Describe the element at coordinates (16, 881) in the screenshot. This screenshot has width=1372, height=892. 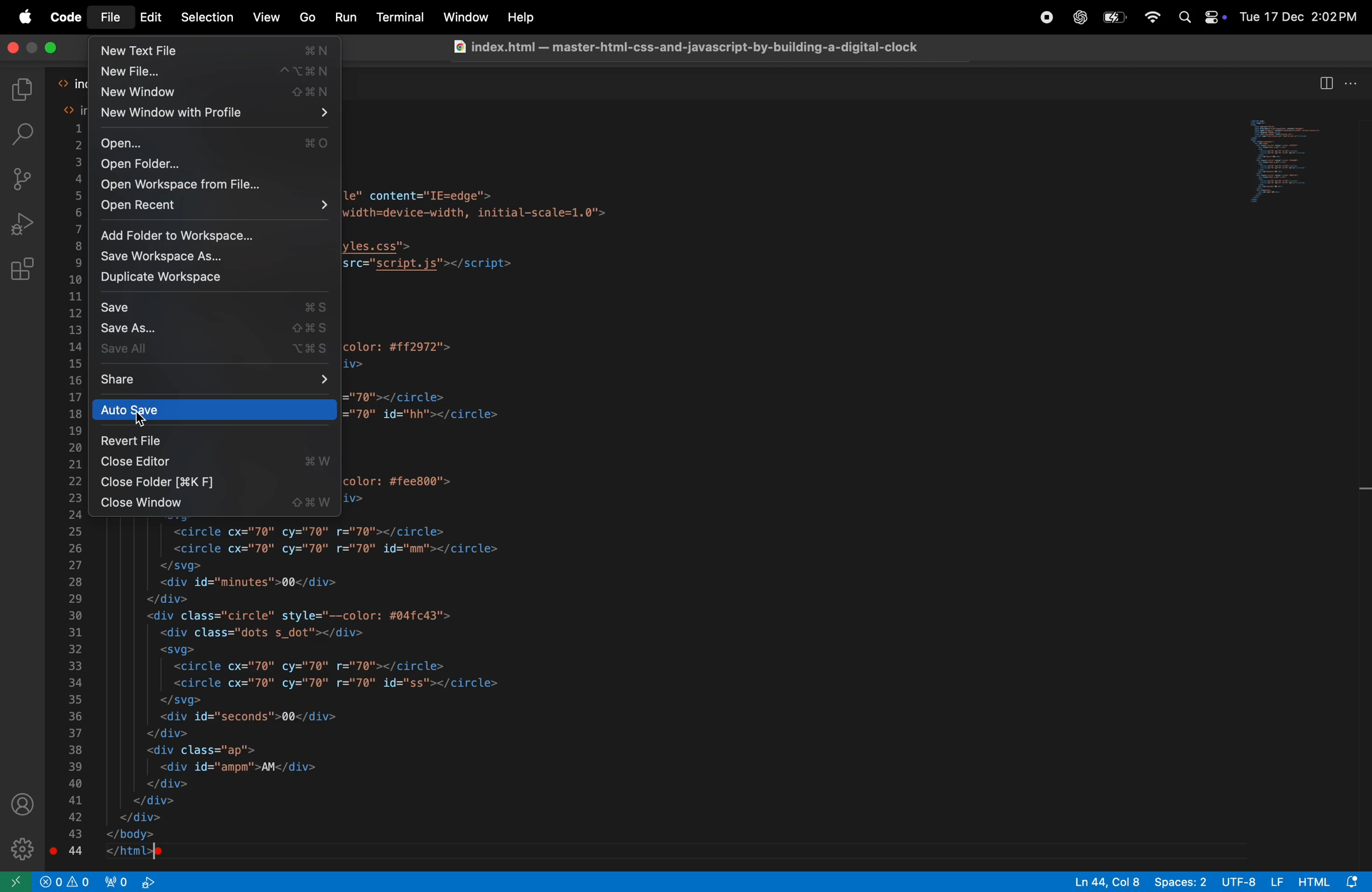
I see `open window` at that location.